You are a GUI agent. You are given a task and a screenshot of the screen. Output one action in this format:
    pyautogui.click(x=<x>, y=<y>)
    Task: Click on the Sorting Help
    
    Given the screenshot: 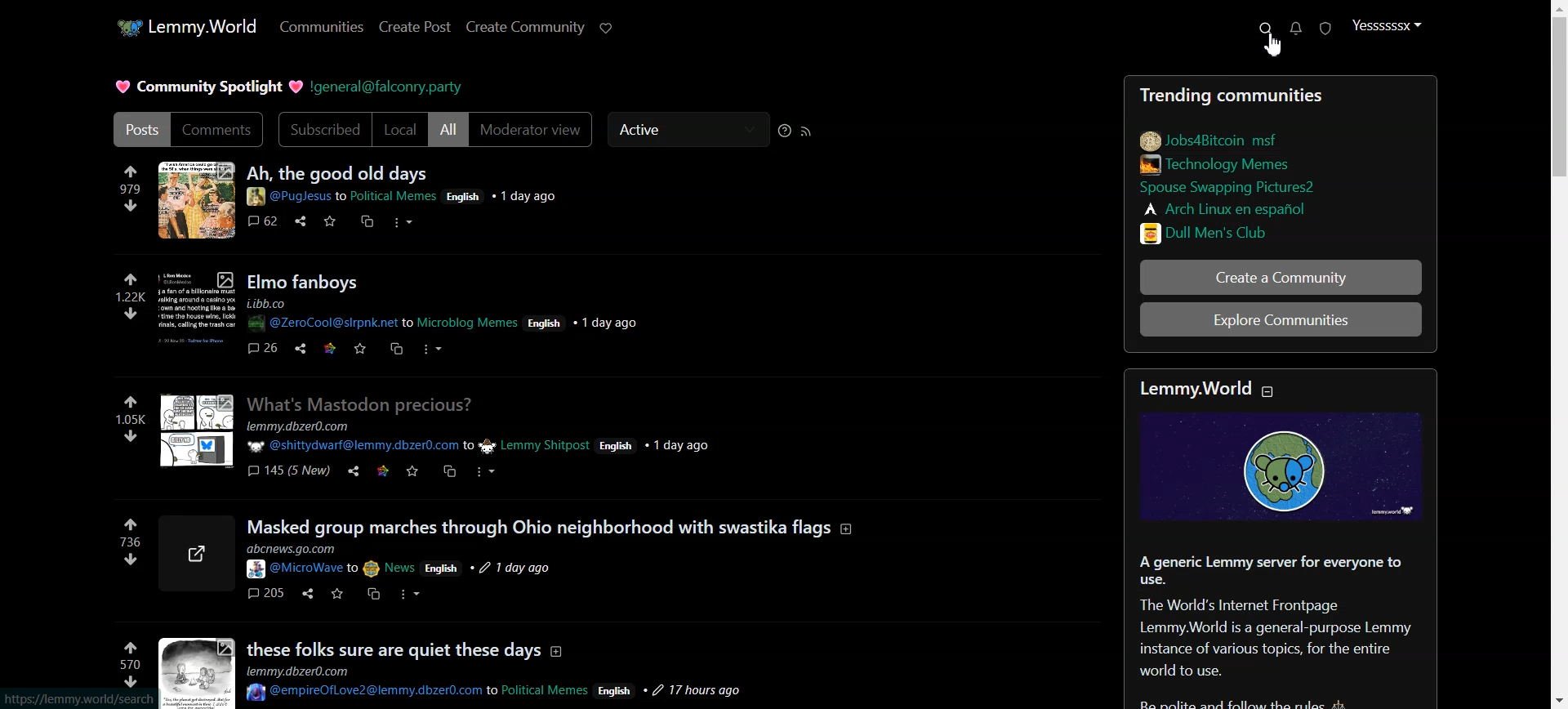 What is the action you would take?
    pyautogui.click(x=784, y=130)
    